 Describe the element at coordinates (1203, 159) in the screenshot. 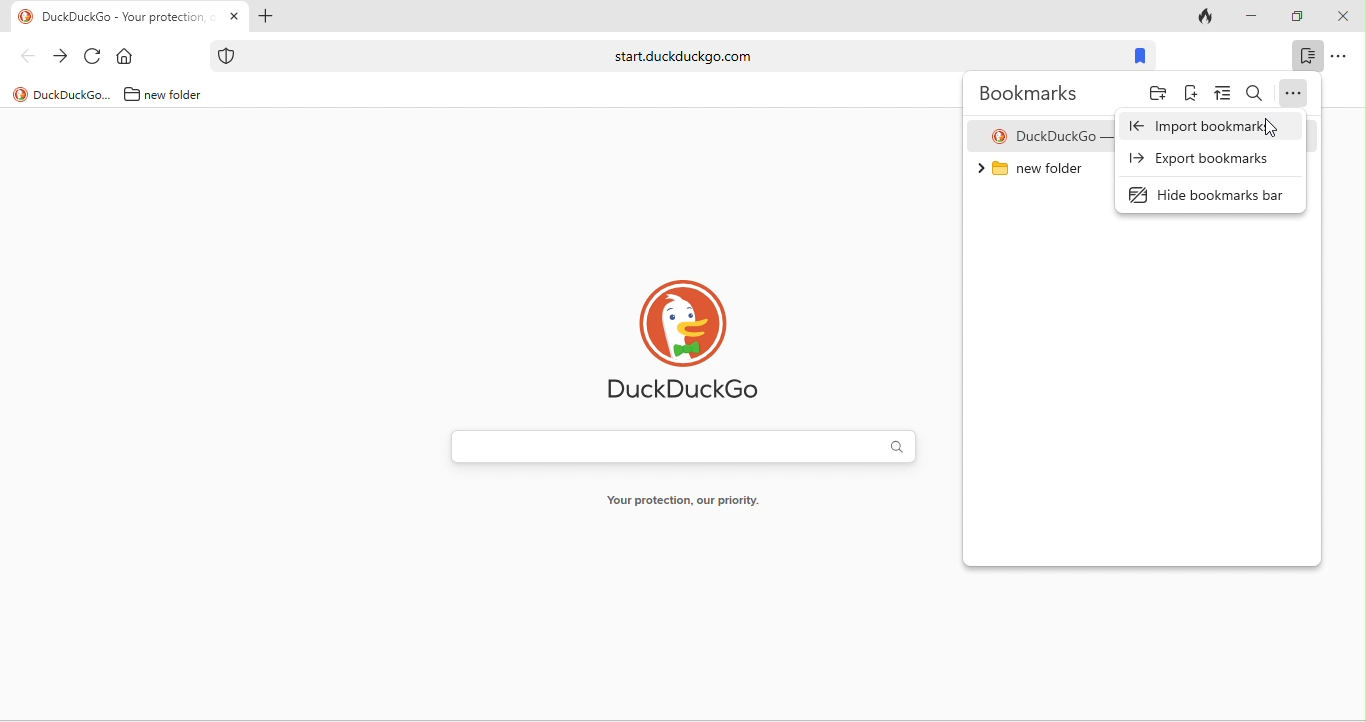

I see `export bookmarks` at that location.